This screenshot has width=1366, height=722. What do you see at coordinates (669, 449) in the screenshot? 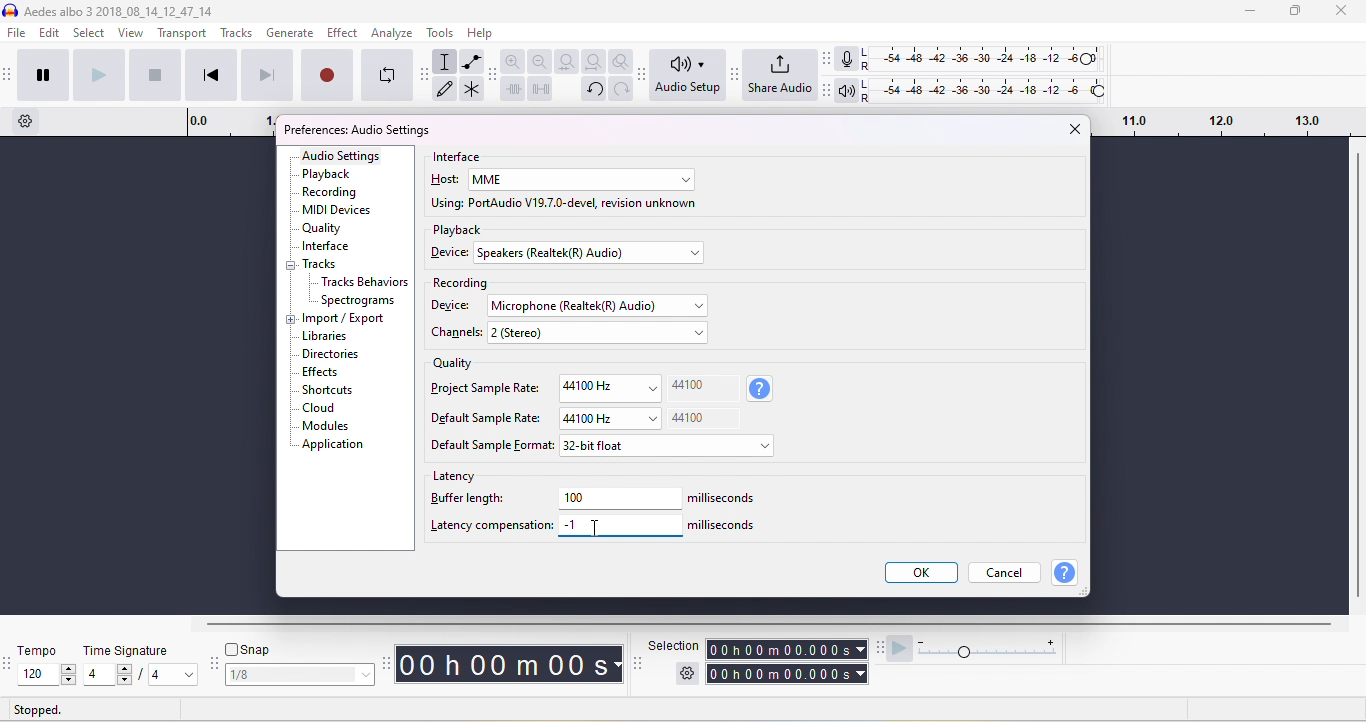
I see `select default sample format` at bounding box center [669, 449].